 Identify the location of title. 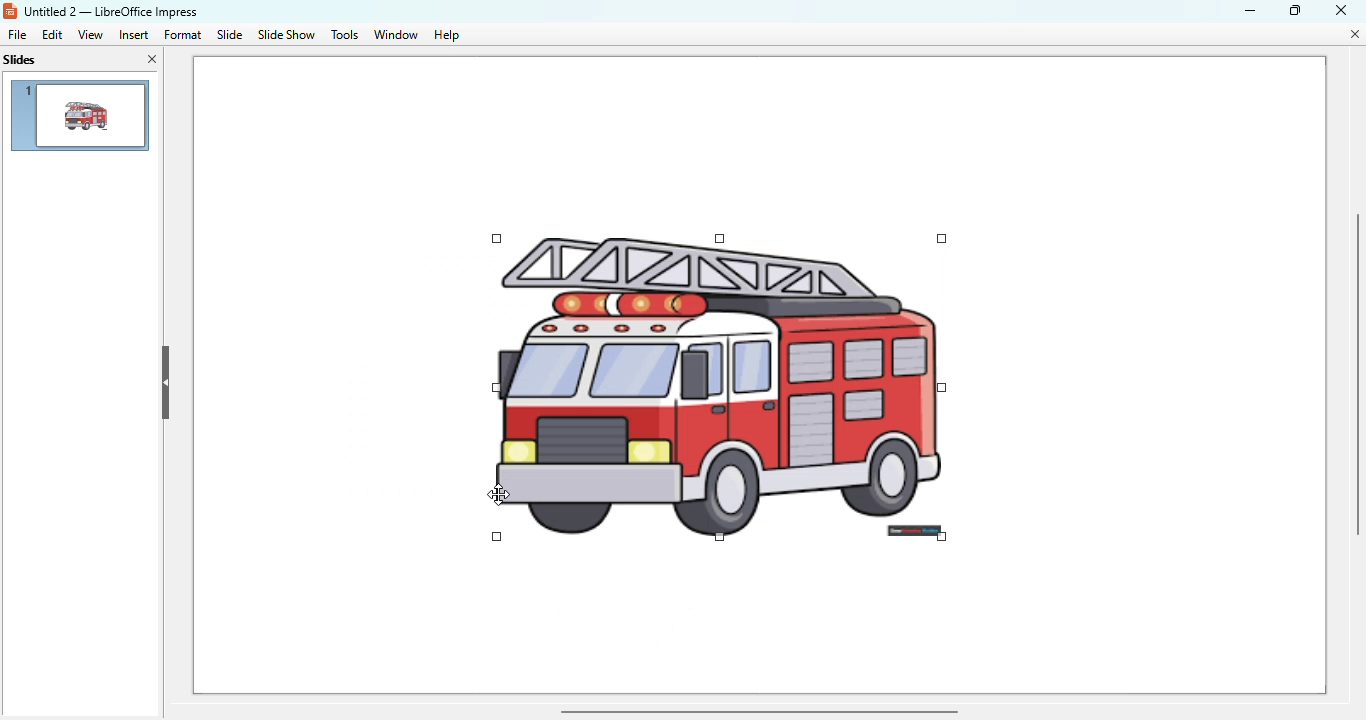
(111, 11).